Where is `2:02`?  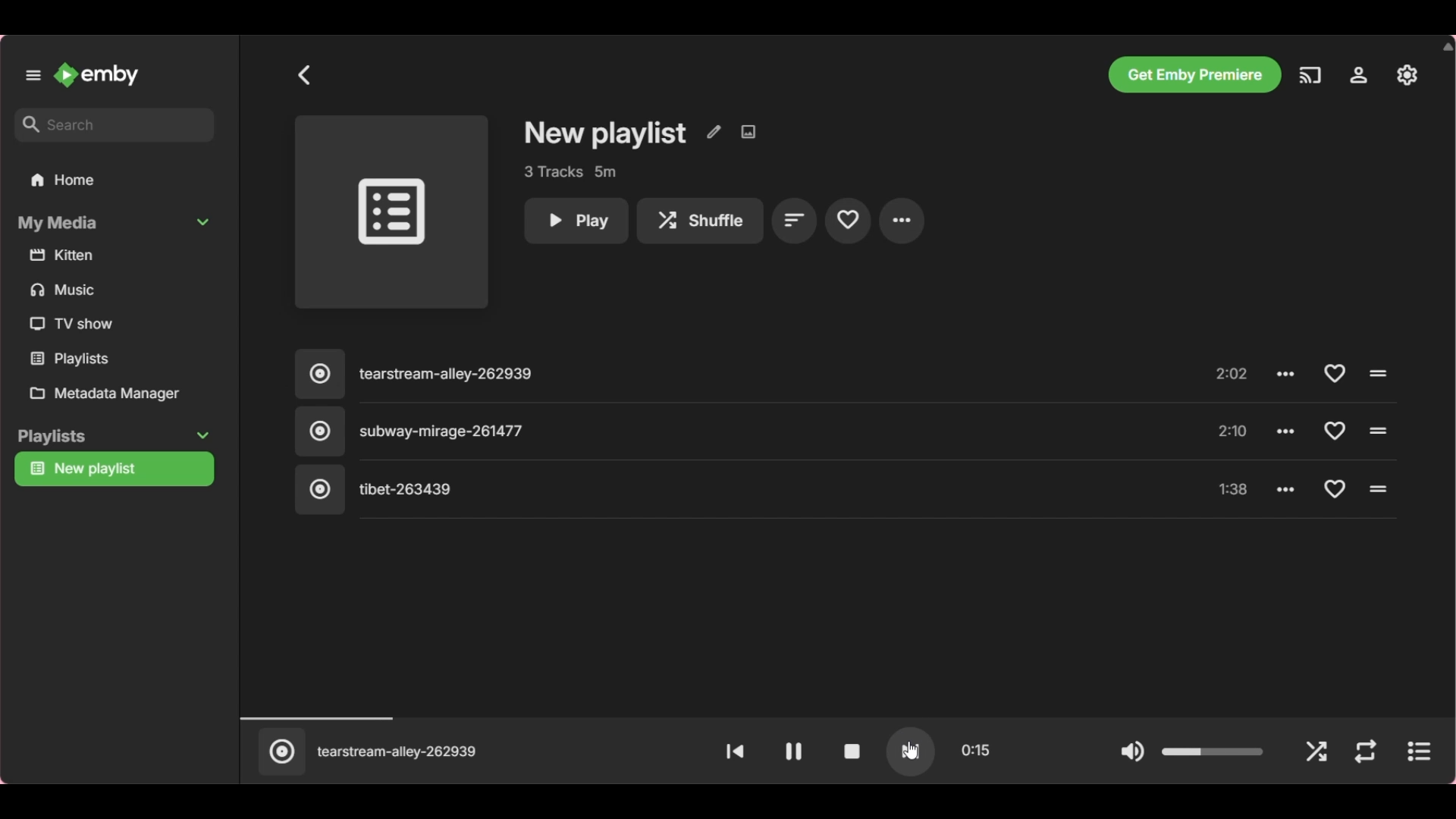 2:02 is located at coordinates (1234, 372).